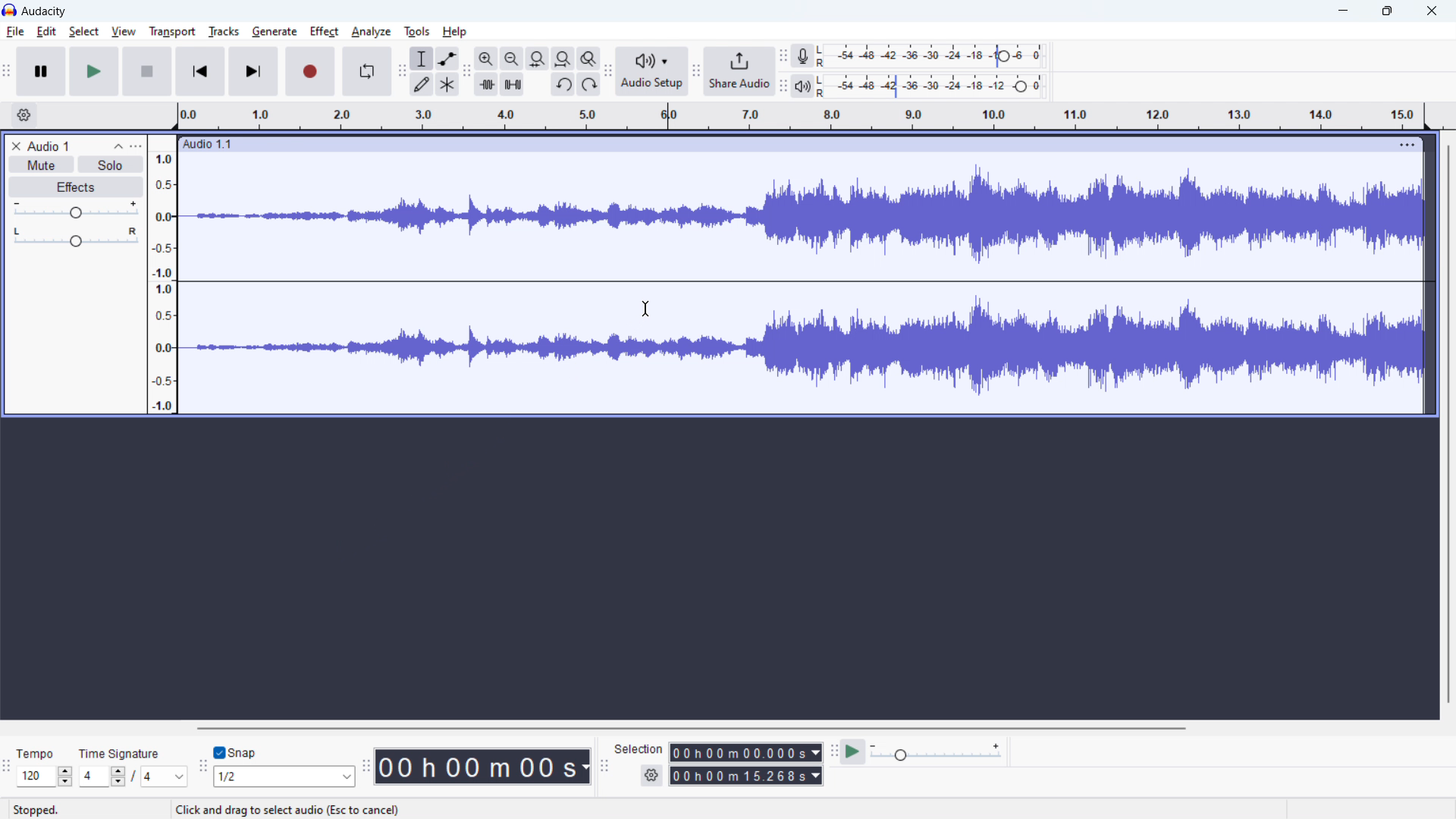 The width and height of the screenshot is (1456, 819). I want to click on redo, so click(588, 84).